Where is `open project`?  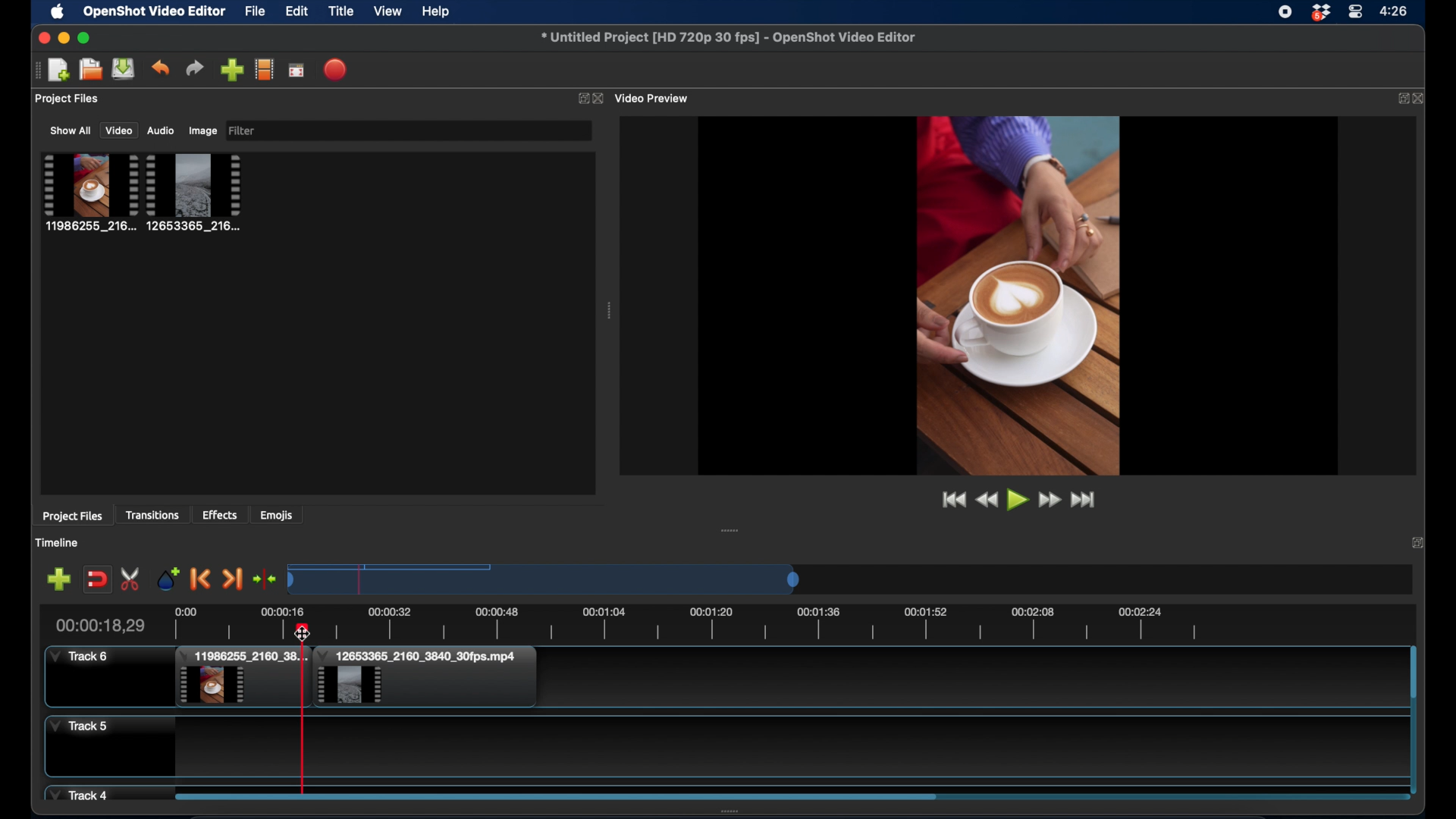
open project is located at coordinates (58, 71).